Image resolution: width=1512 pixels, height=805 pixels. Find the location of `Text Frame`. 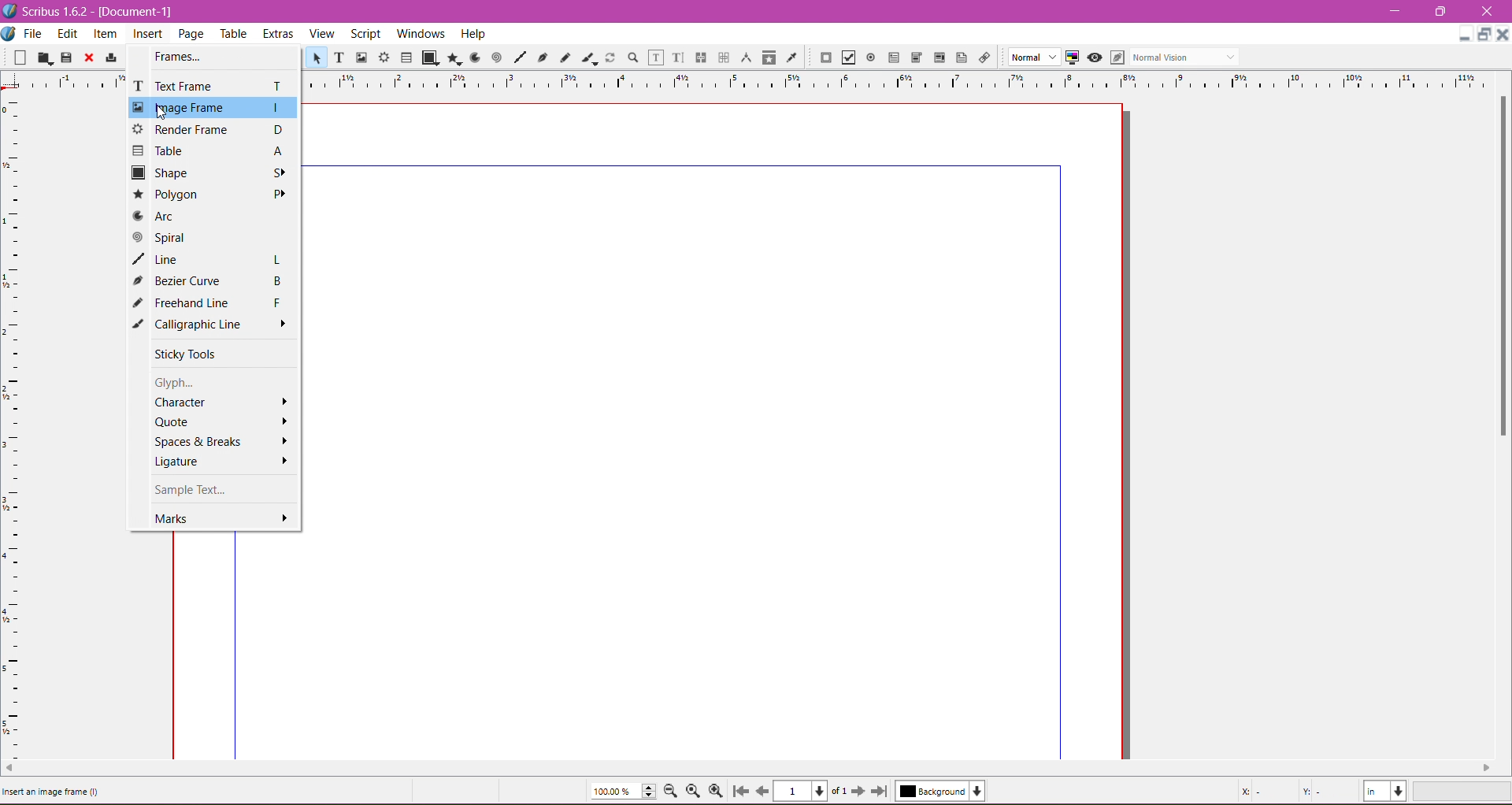

Text Frame is located at coordinates (210, 86).